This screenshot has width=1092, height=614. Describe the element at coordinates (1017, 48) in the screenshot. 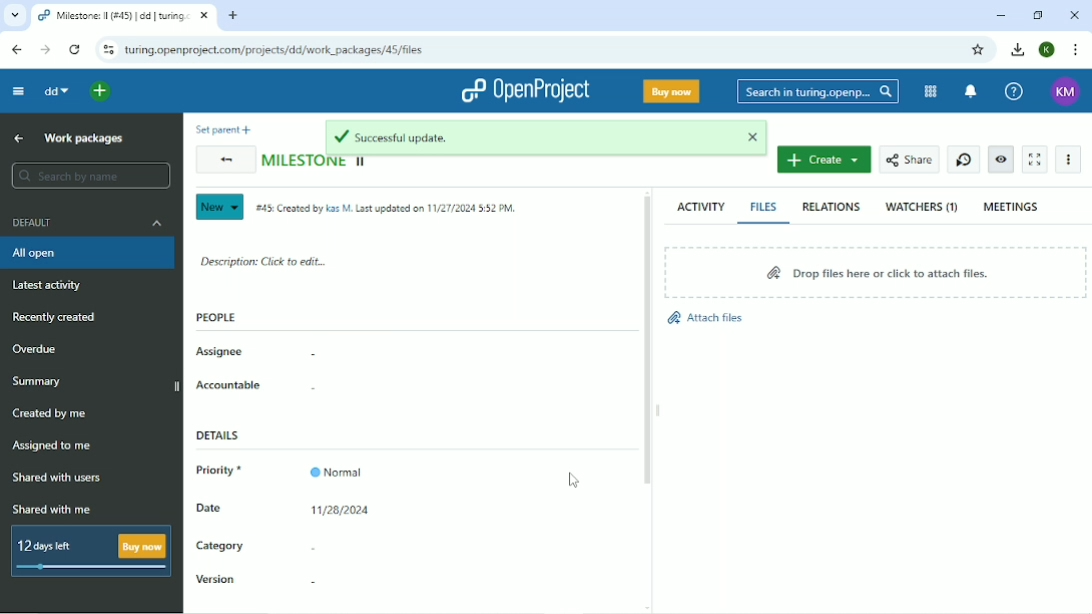

I see `Downloads` at that location.